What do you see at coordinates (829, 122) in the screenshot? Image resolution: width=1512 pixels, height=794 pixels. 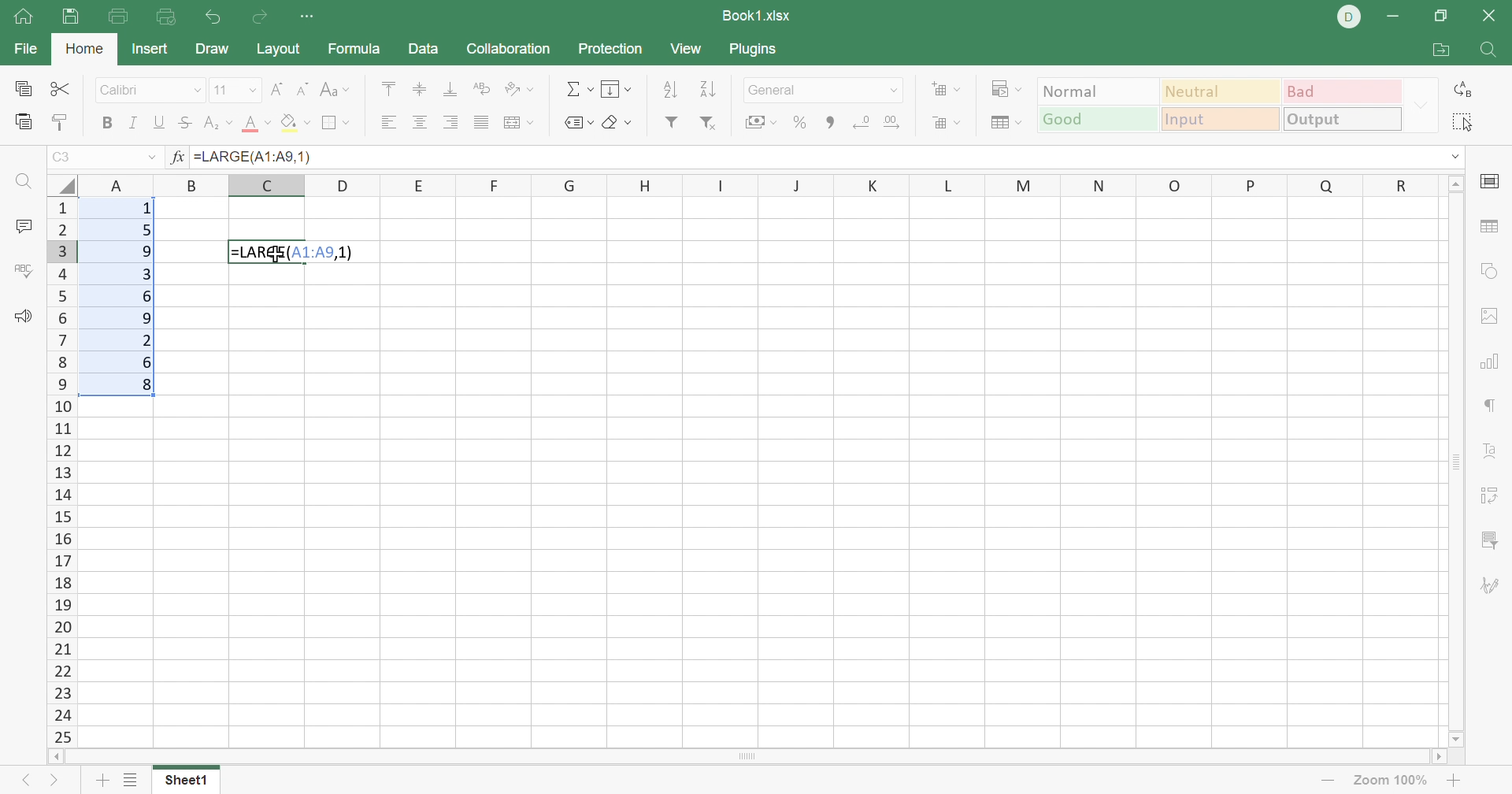 I see `Scroll Bar` at bounding box center [829, 122].